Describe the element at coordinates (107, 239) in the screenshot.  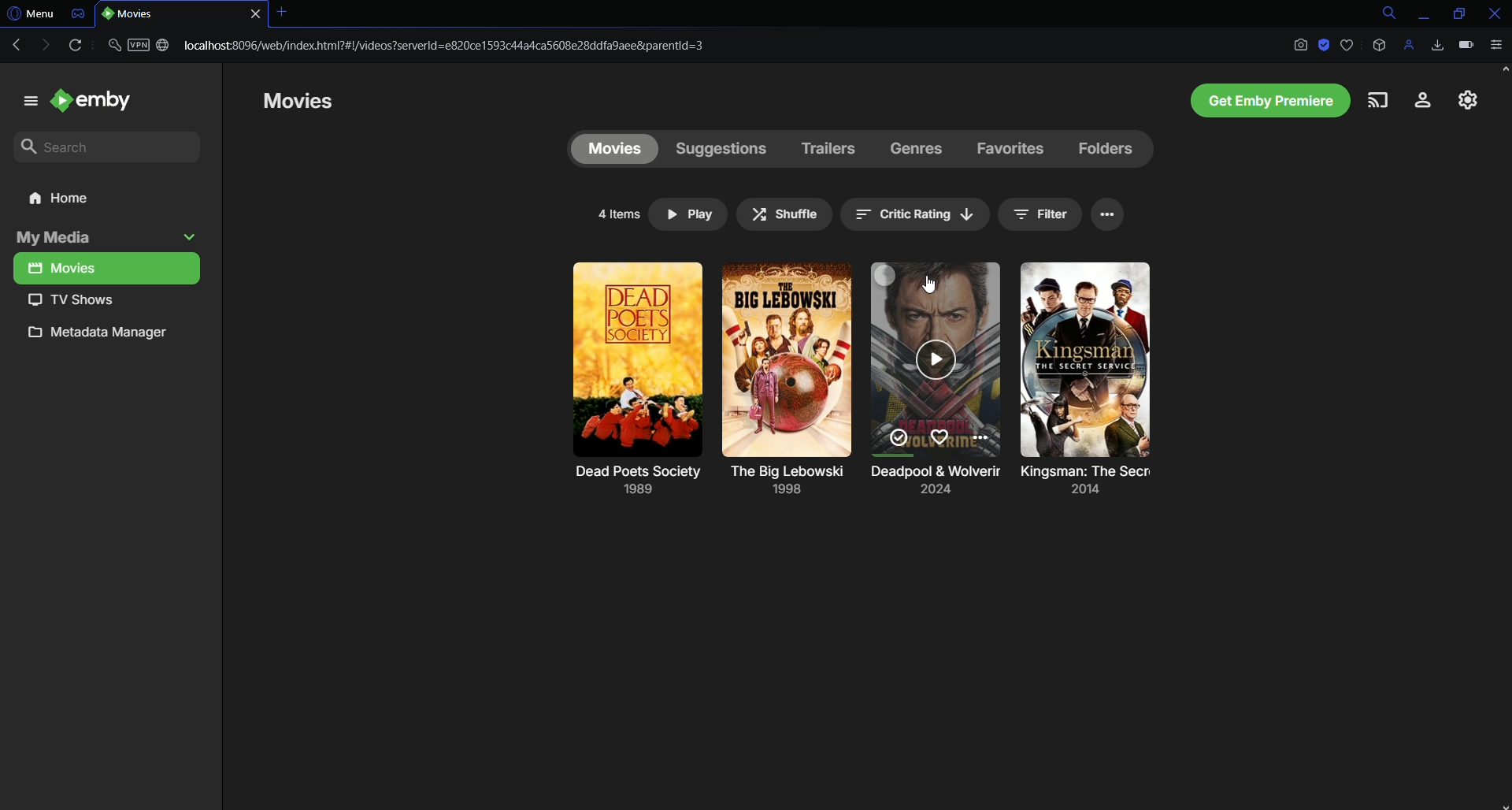
I see `My media` at that location.